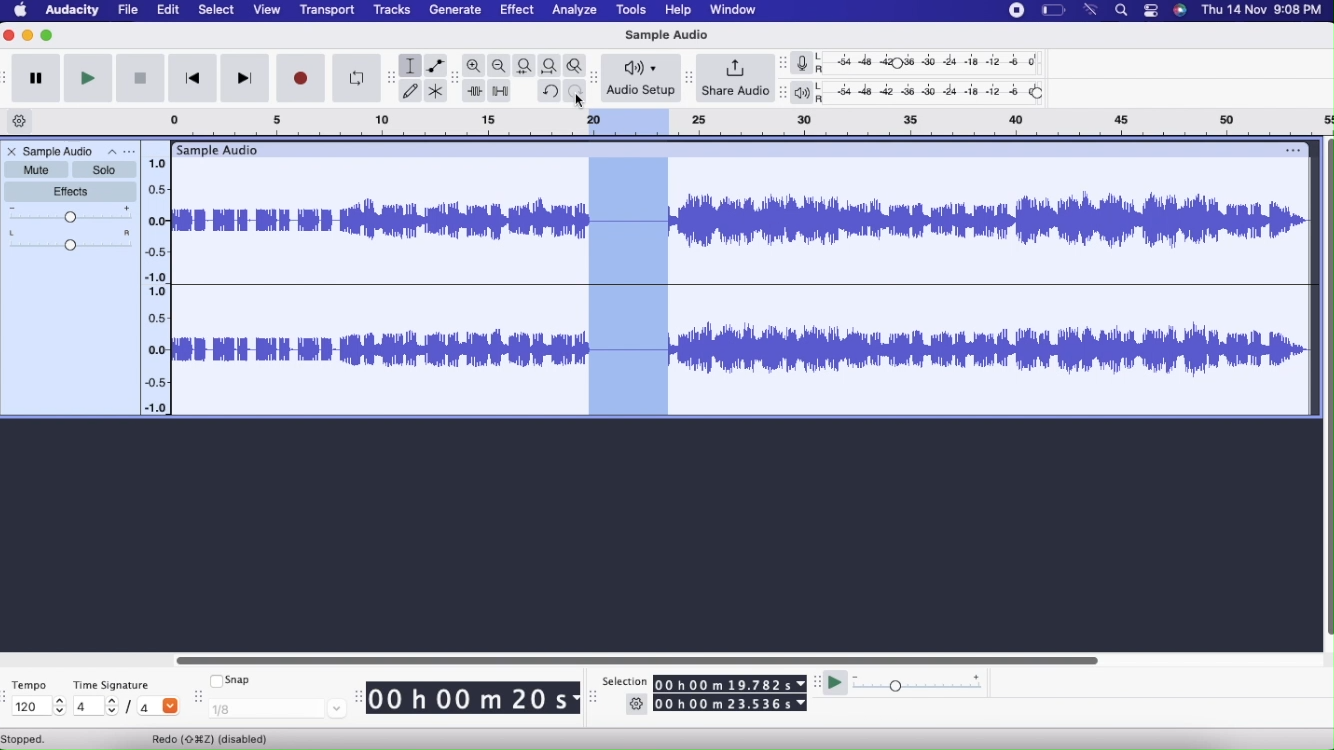 This screenshot has width=1334, height=750. I want to click on Record, so click(299, 78).